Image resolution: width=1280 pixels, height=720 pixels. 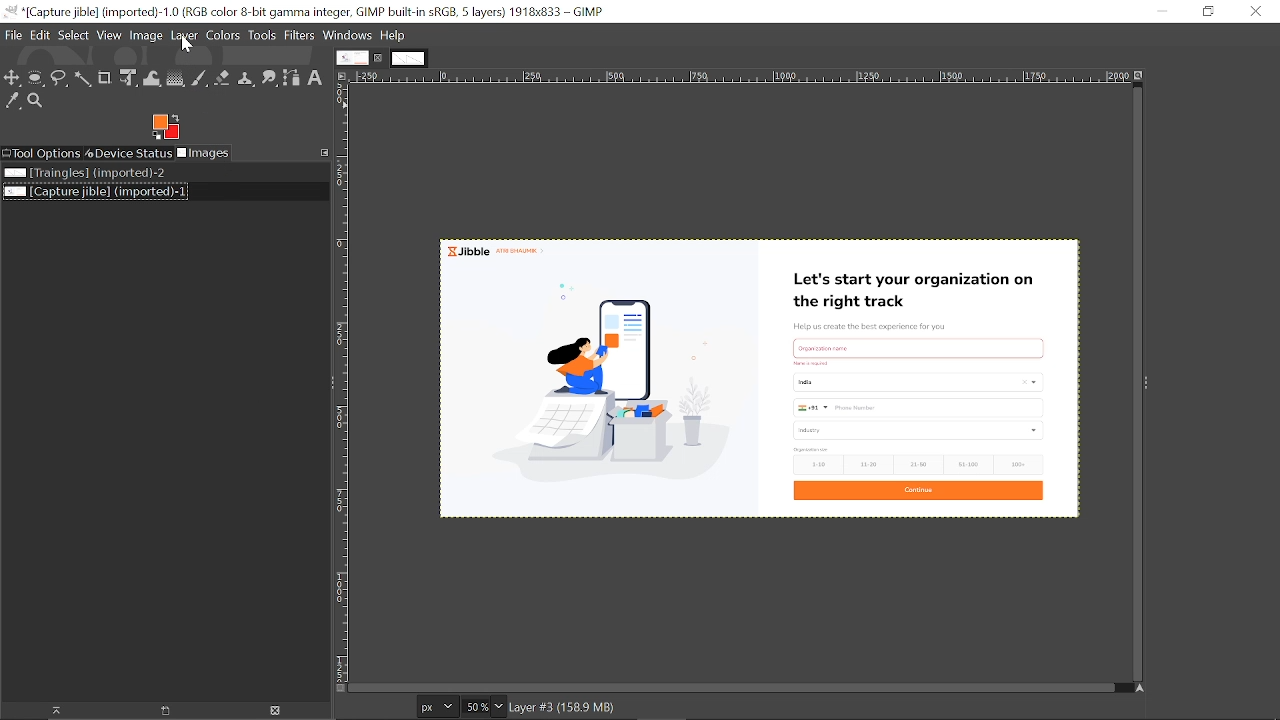 I want to click on Window, so click(x=349, y=35).